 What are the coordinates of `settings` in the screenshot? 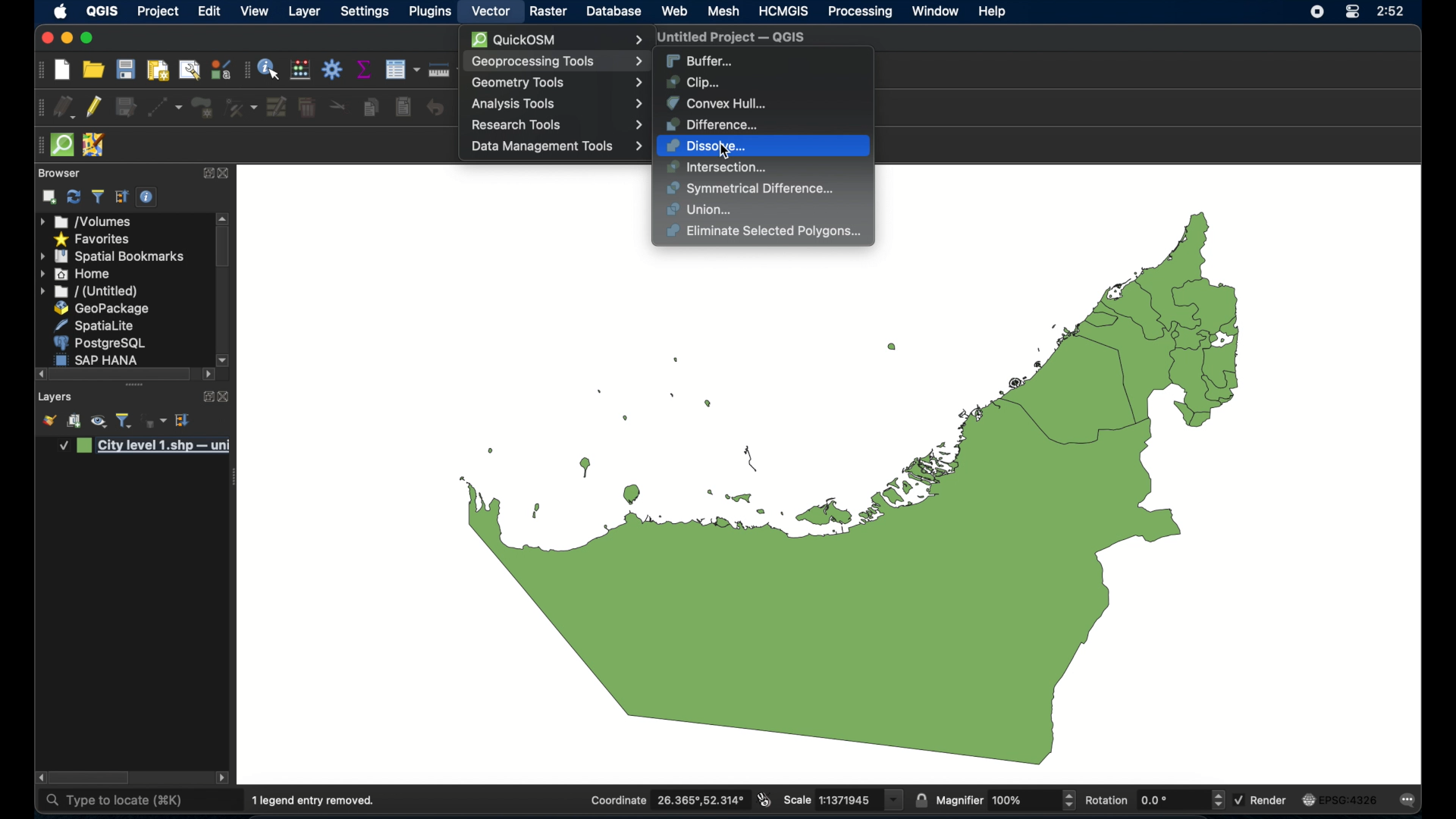 It's located at (366, 12).